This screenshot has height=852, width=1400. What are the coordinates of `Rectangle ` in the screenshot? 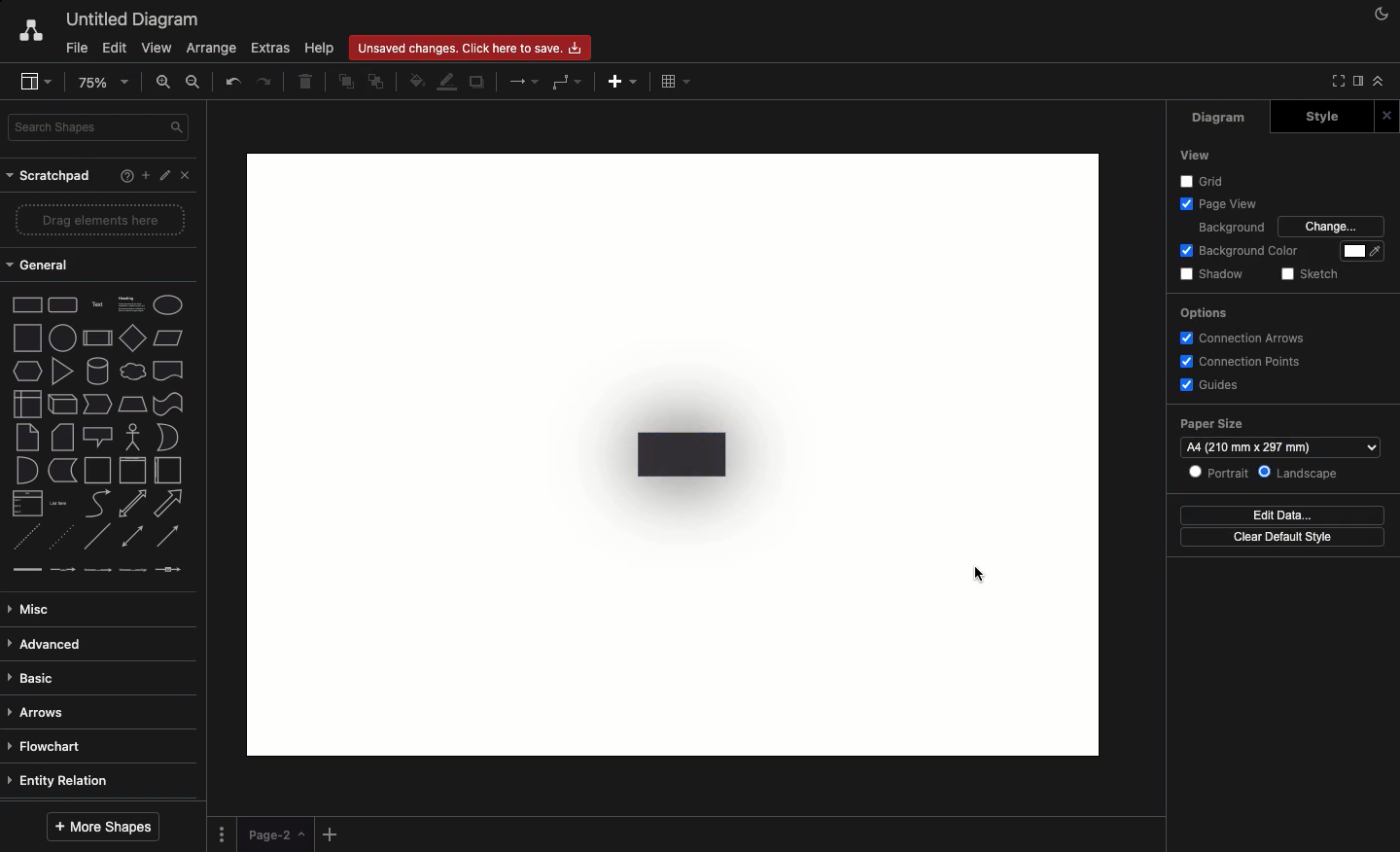 It's located at (27, 306).